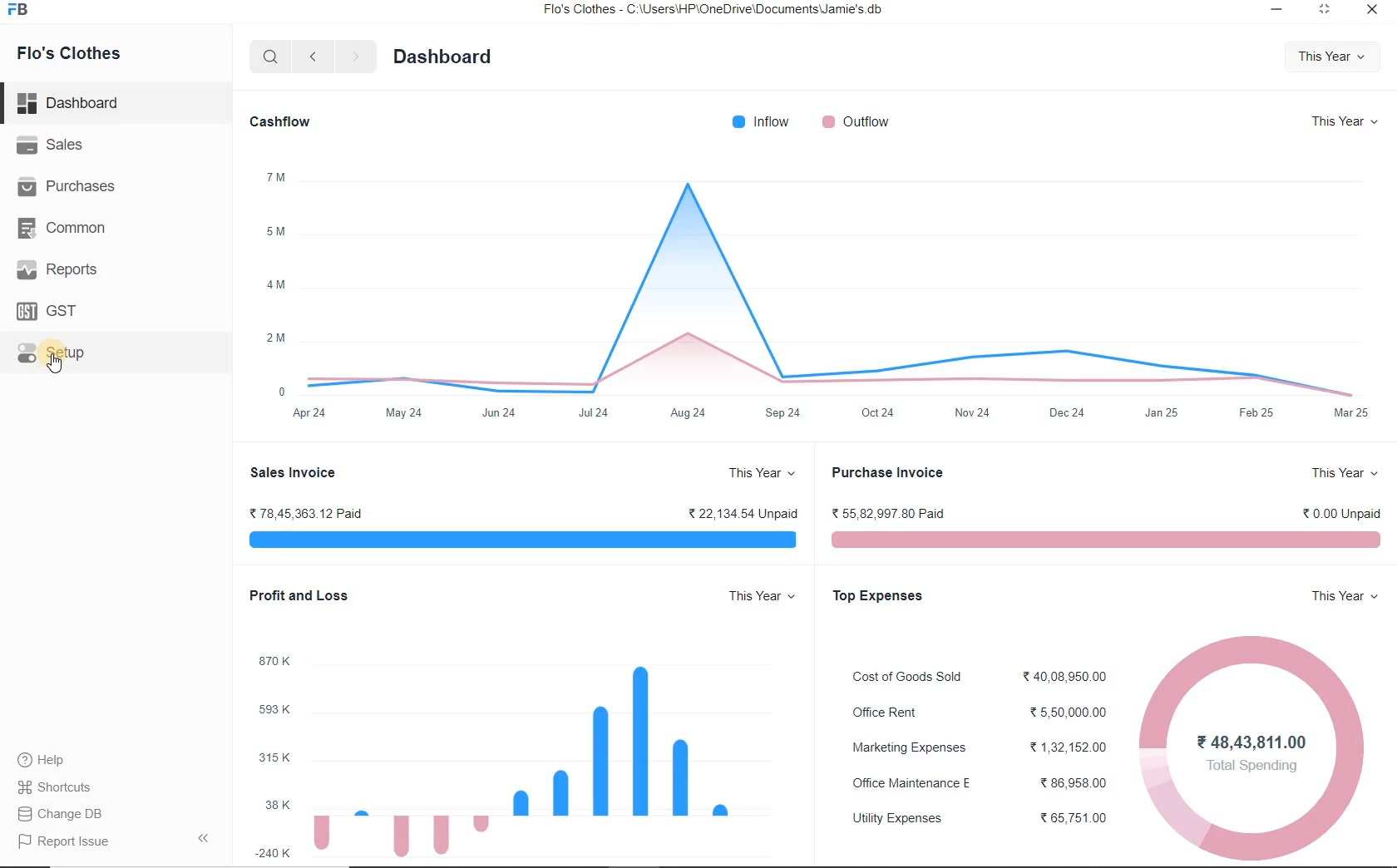  Describe the element at coordinates (287, 123) in the screenshot. I see `Cashflow` at that location.